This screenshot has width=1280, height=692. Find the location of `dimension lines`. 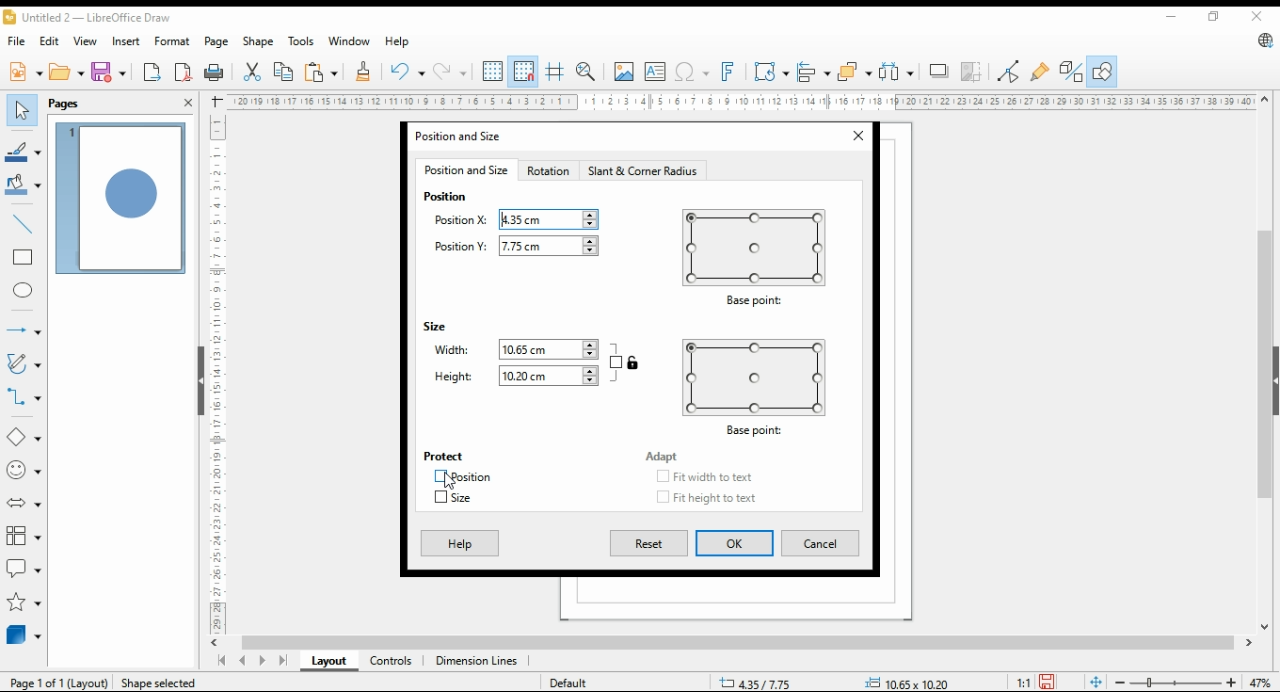

dimension lines is located at coordinates (477, 660).